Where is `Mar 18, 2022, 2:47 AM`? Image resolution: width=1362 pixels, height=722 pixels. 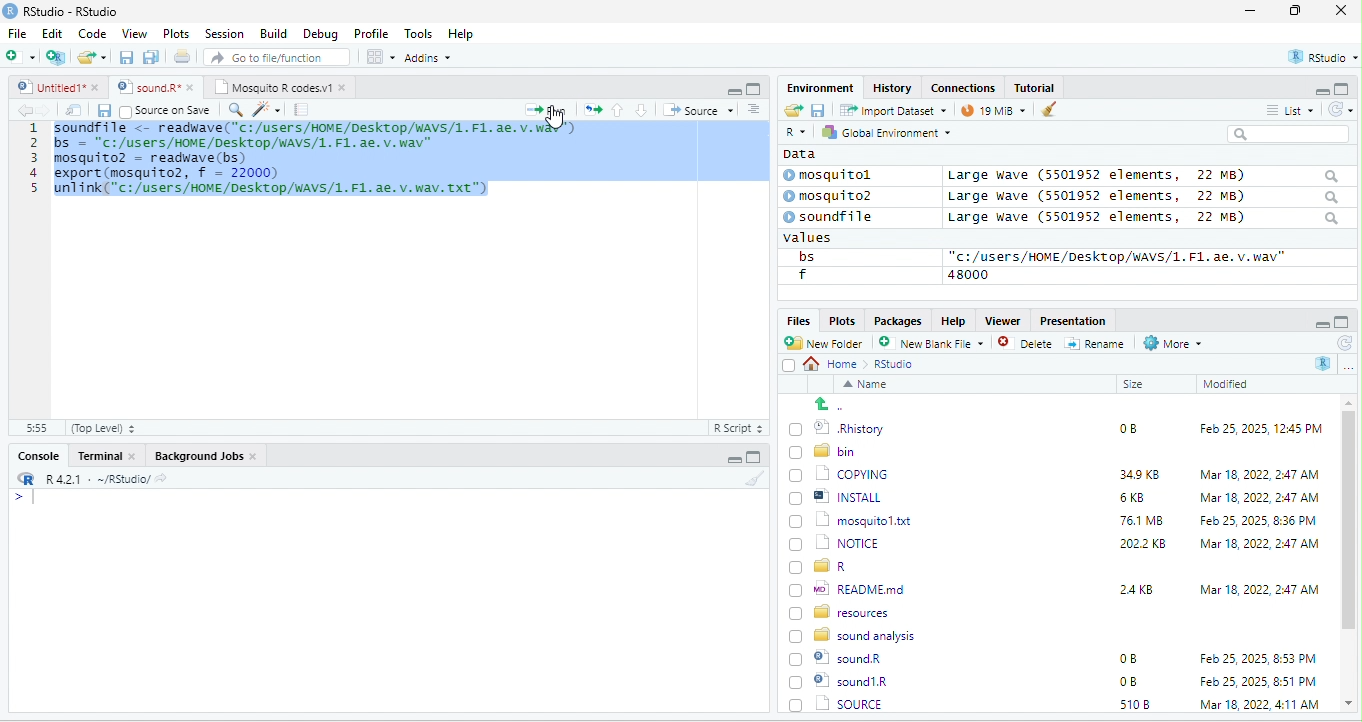
Mar 18, 2022, 2:47 AM is located at coordinates (1259, 588).